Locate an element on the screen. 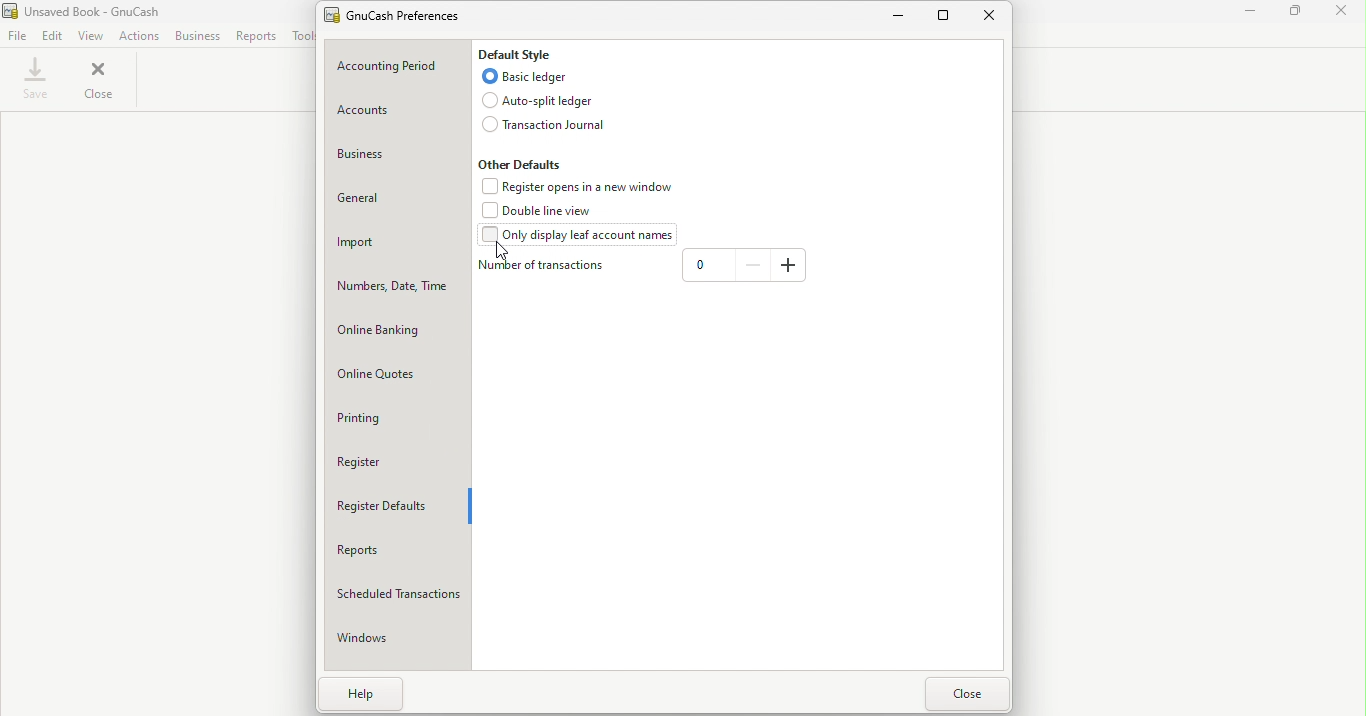 The image size is (1366, 716). Edit is located at coordinates (54, 35).